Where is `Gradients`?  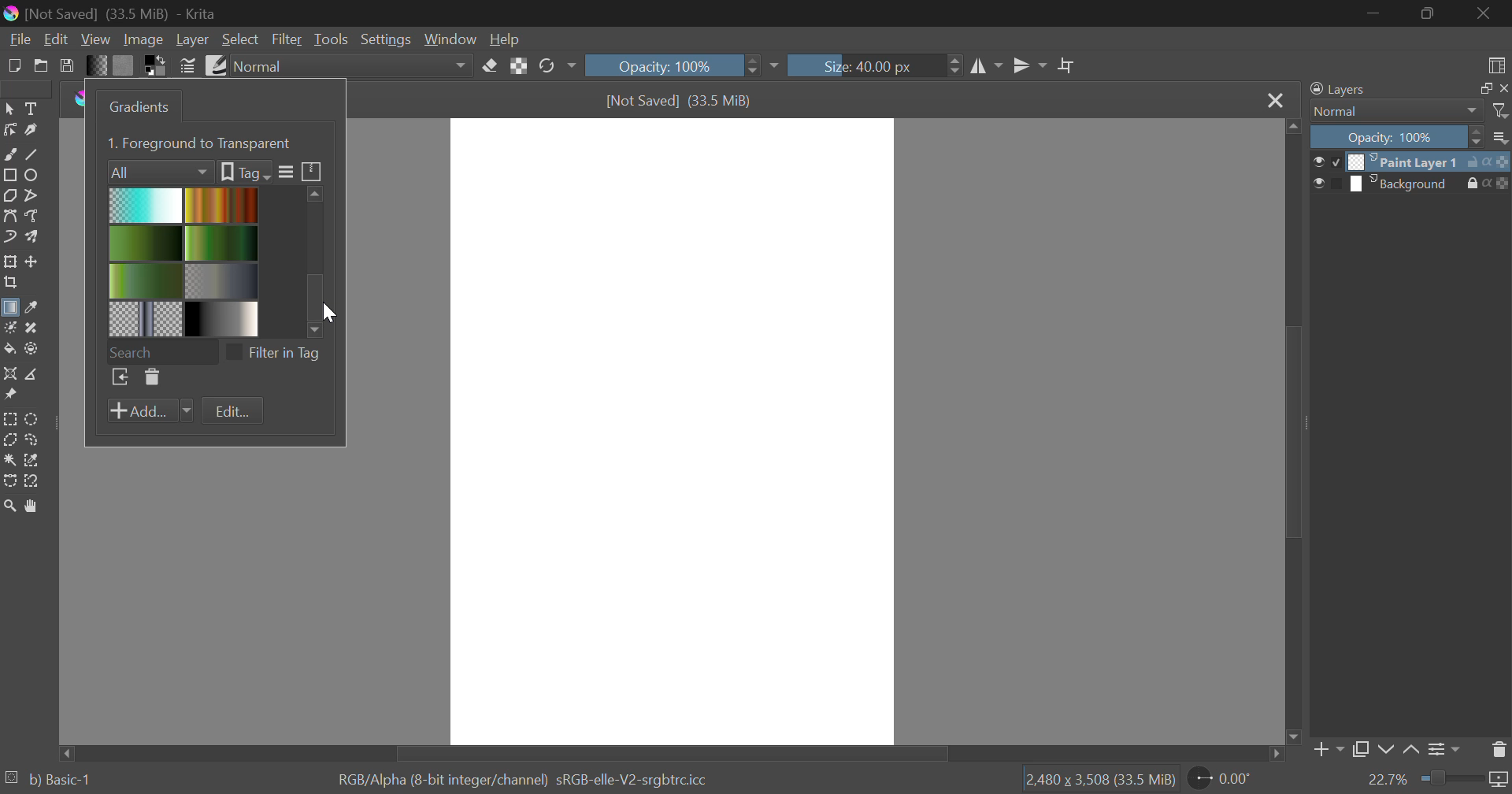
Gradients is located at coordinates (136, 106).